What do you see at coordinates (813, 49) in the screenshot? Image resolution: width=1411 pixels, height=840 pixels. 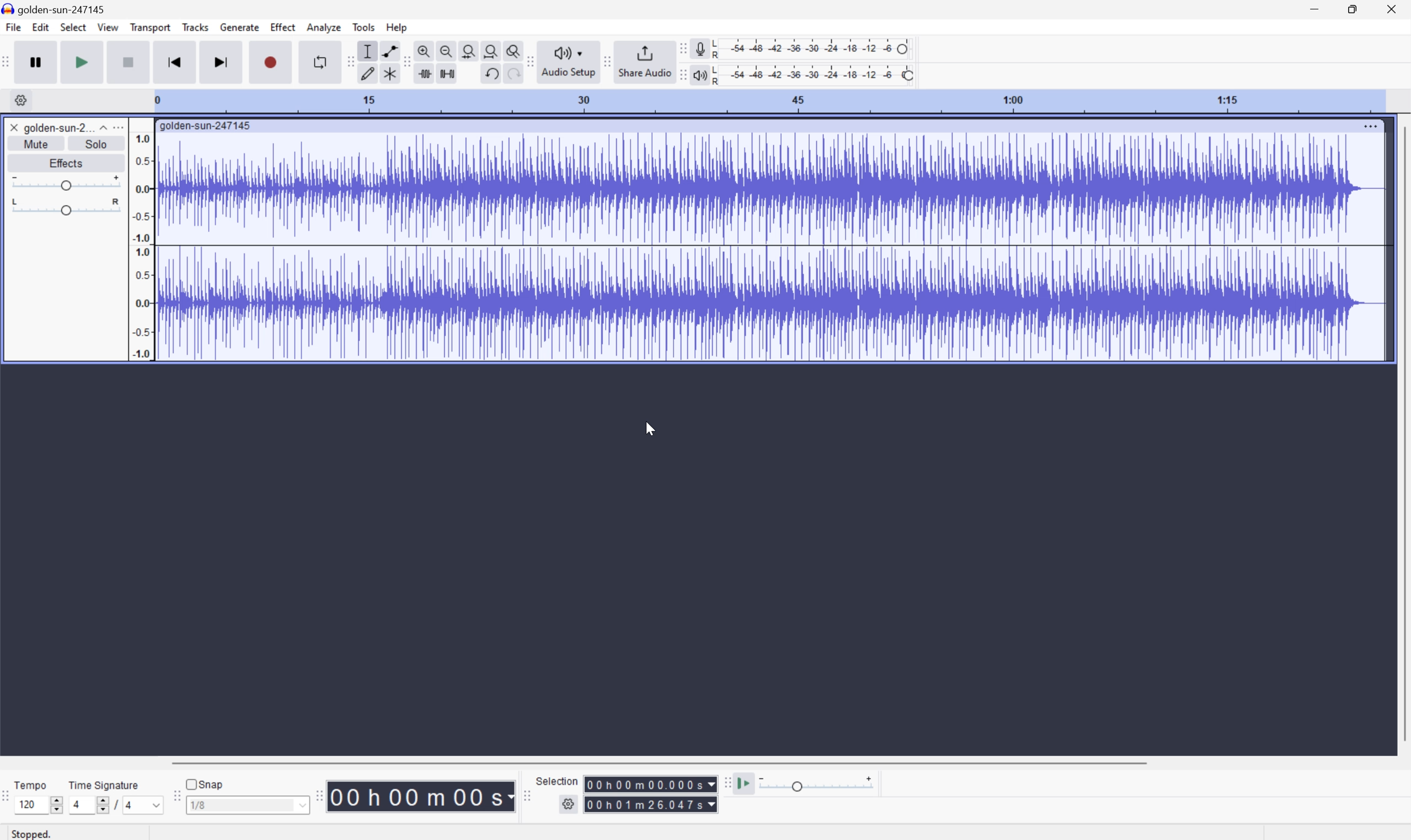 I see `Recording level: 62%` at bounding box center [813, 49].